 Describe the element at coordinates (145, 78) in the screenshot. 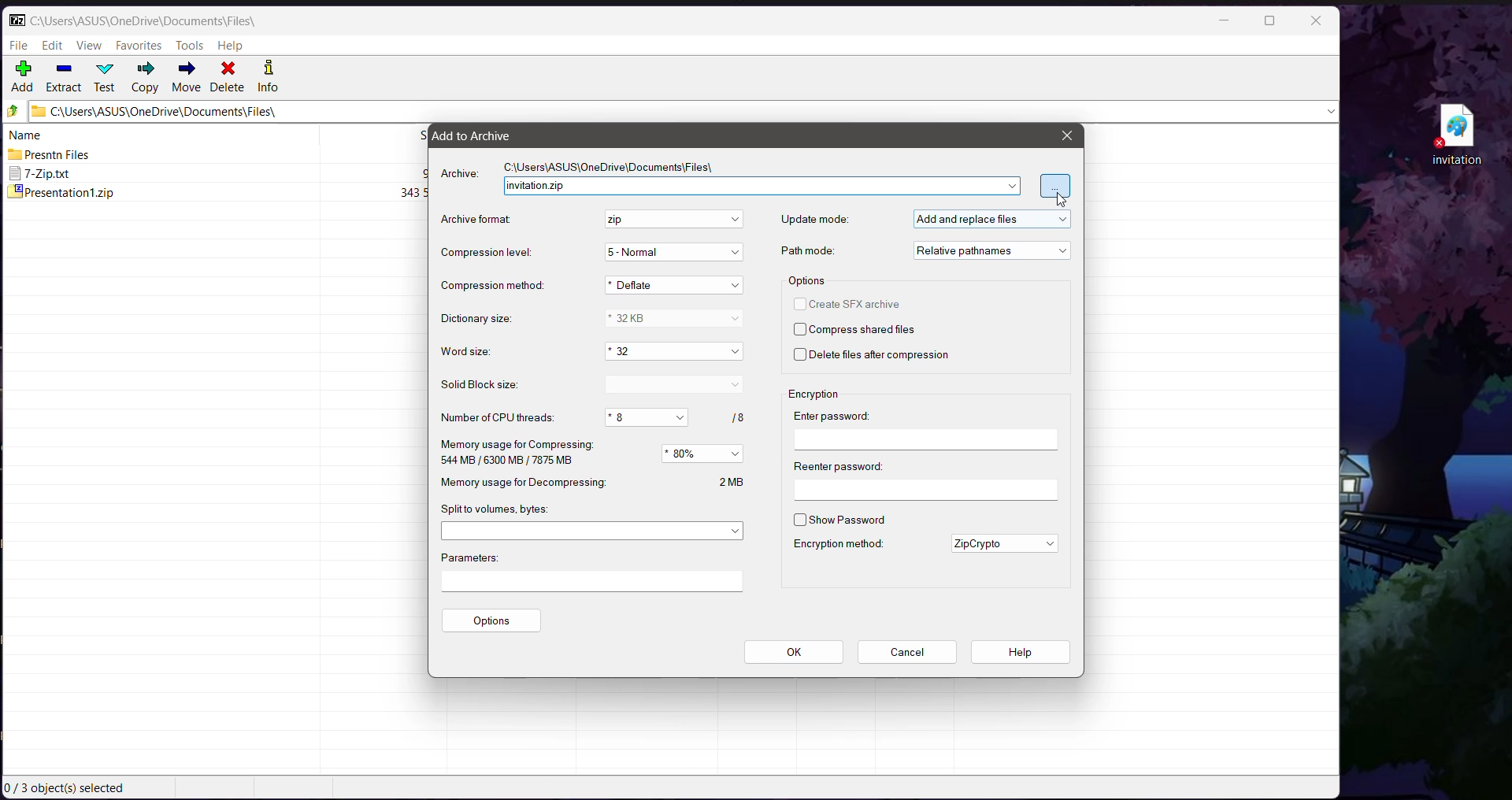

I see `Copy` at that location.